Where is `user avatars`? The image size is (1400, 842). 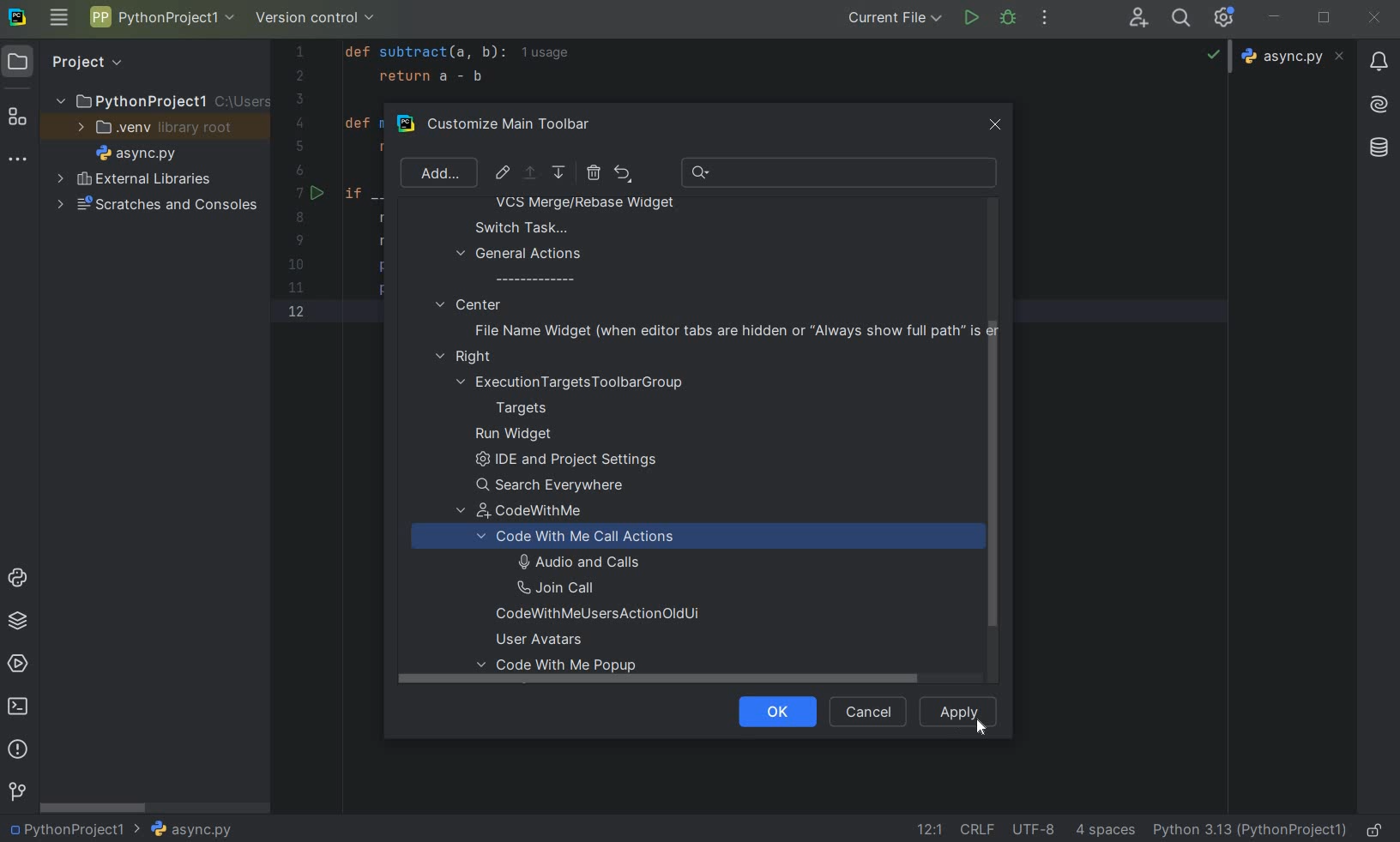
user avatars is located at coordinates (546, 640).